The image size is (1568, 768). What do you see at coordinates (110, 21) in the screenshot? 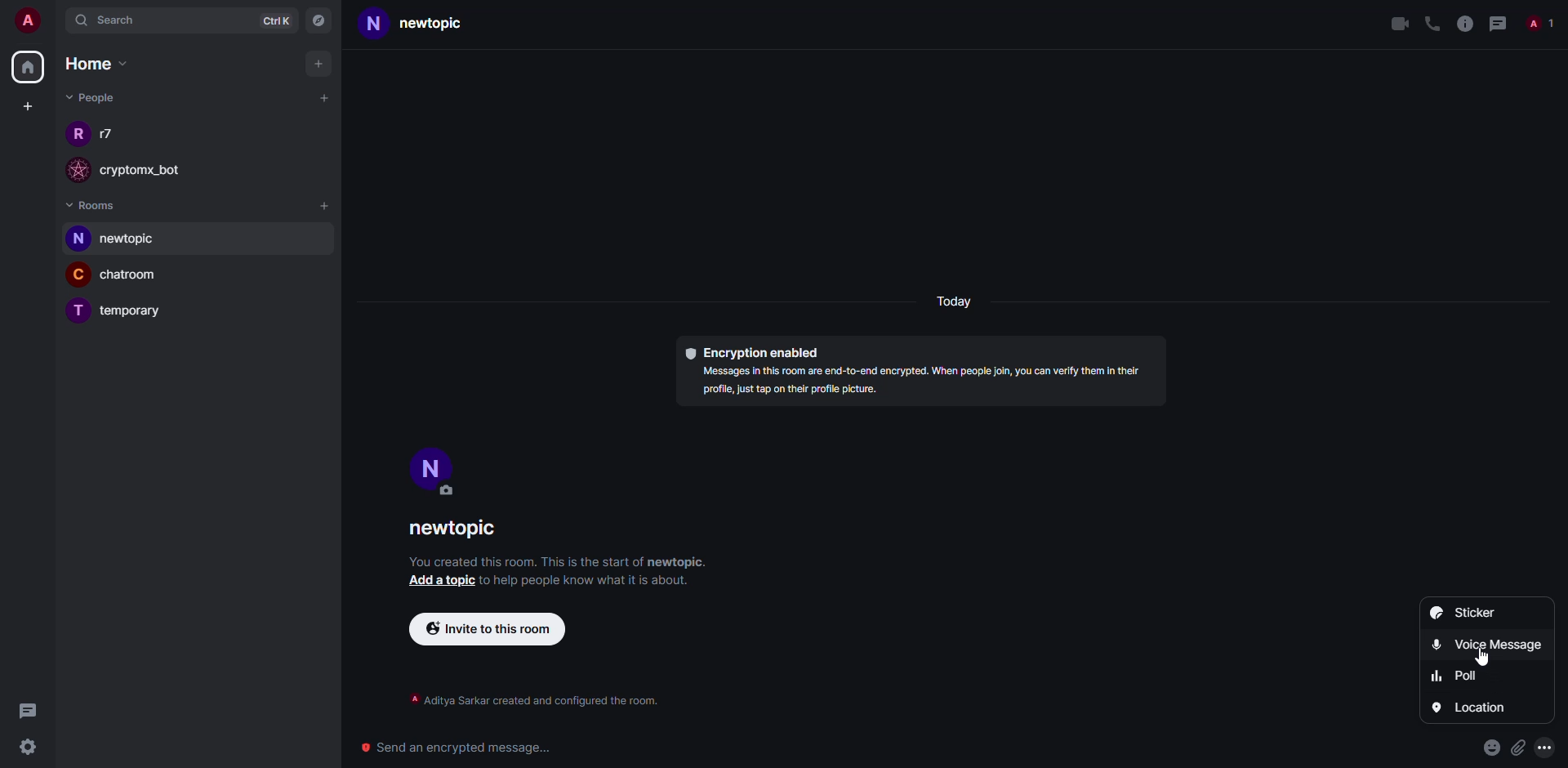
I see `search` at bounding box center [110, 21].